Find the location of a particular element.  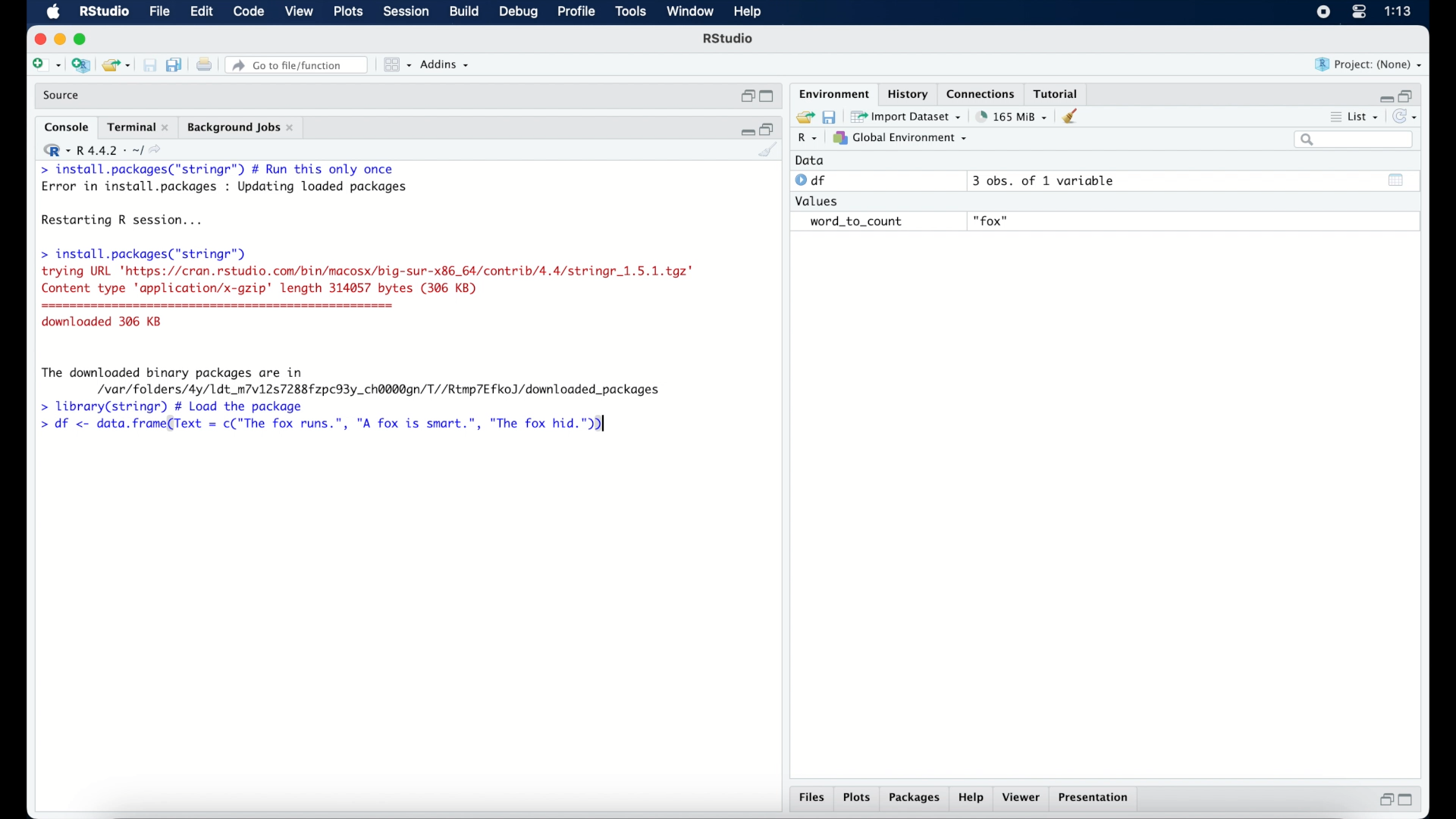

print is located at coordinates (204, 66).